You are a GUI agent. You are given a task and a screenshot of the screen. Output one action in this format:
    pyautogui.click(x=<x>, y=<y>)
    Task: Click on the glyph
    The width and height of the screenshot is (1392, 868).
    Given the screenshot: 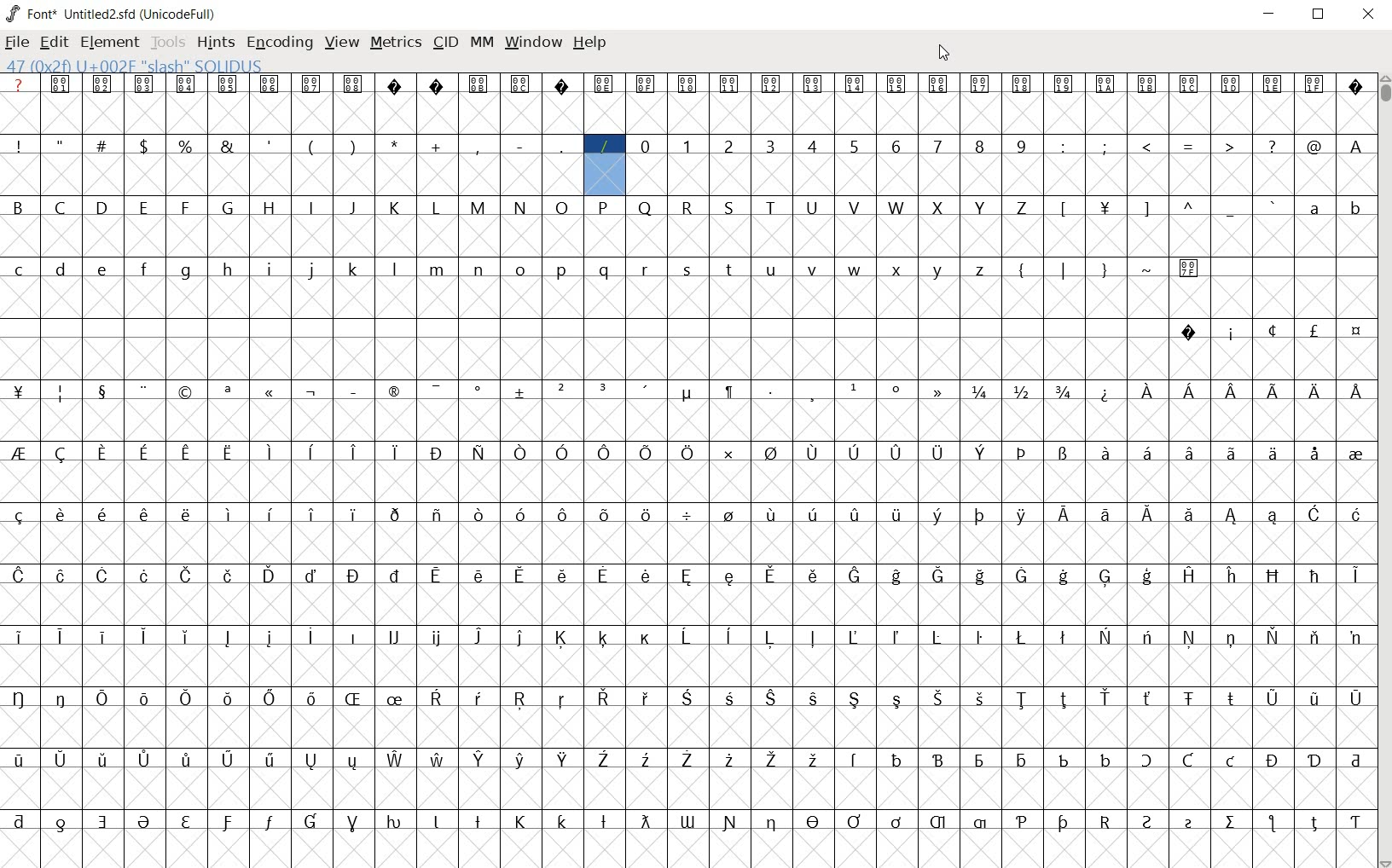 What is the action you would take?
    pyautogui.click(x=1022, y=822)
    